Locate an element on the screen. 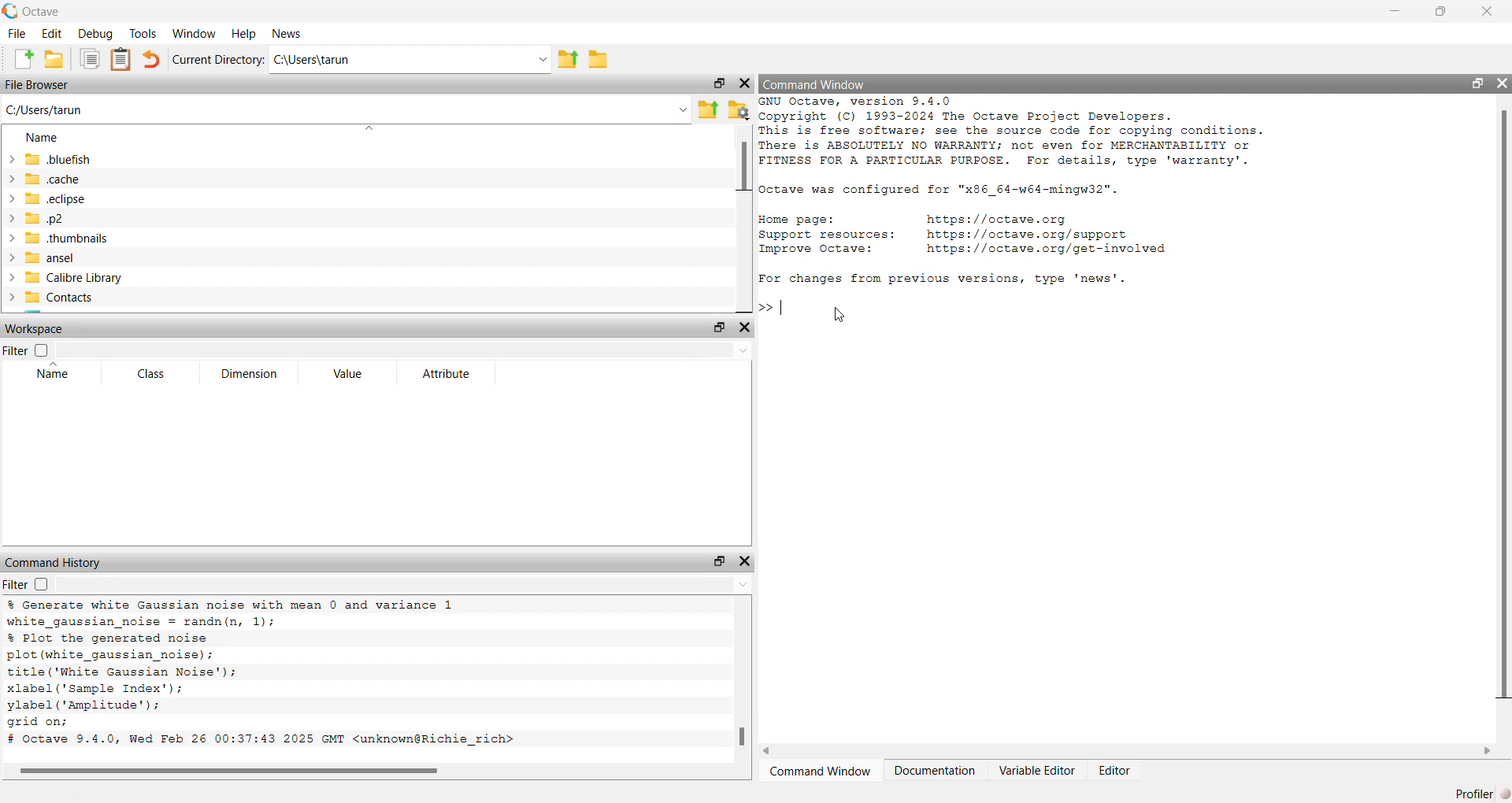 The width and height of the screenshot is (1512, 803). Help is located at coordinates (243, 35).